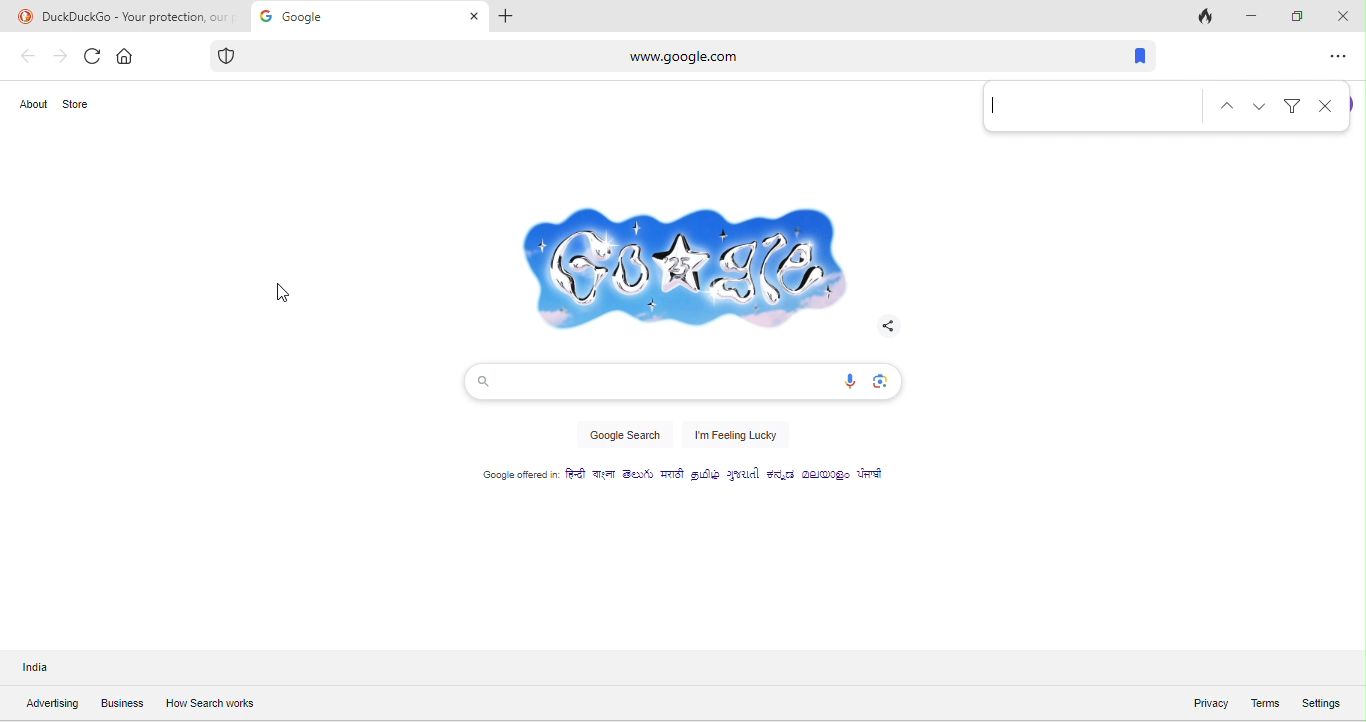 Image resolution: width=1366 pixels, height=722 pixels. Describe the element at coordinates (1324, 107) in the screenshot. I see `Close` at that location.